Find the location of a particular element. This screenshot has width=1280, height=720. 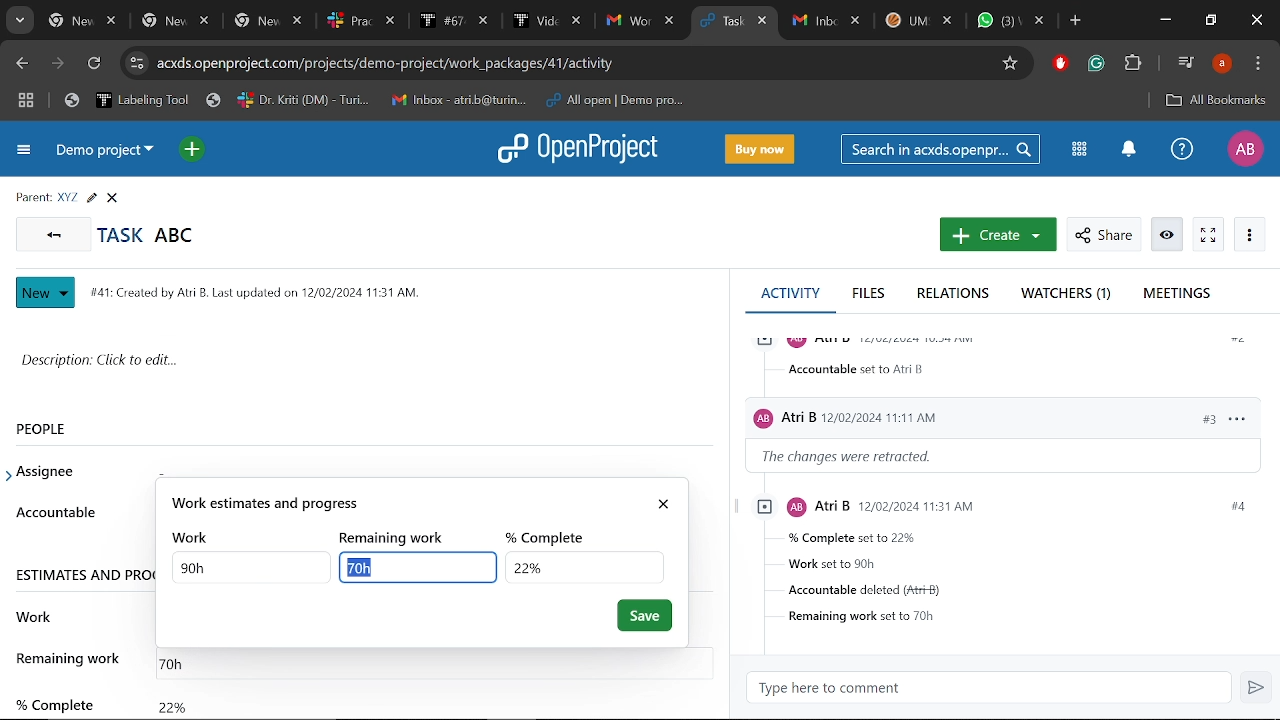

Grmmarly is located at coordinates (1098, 66).